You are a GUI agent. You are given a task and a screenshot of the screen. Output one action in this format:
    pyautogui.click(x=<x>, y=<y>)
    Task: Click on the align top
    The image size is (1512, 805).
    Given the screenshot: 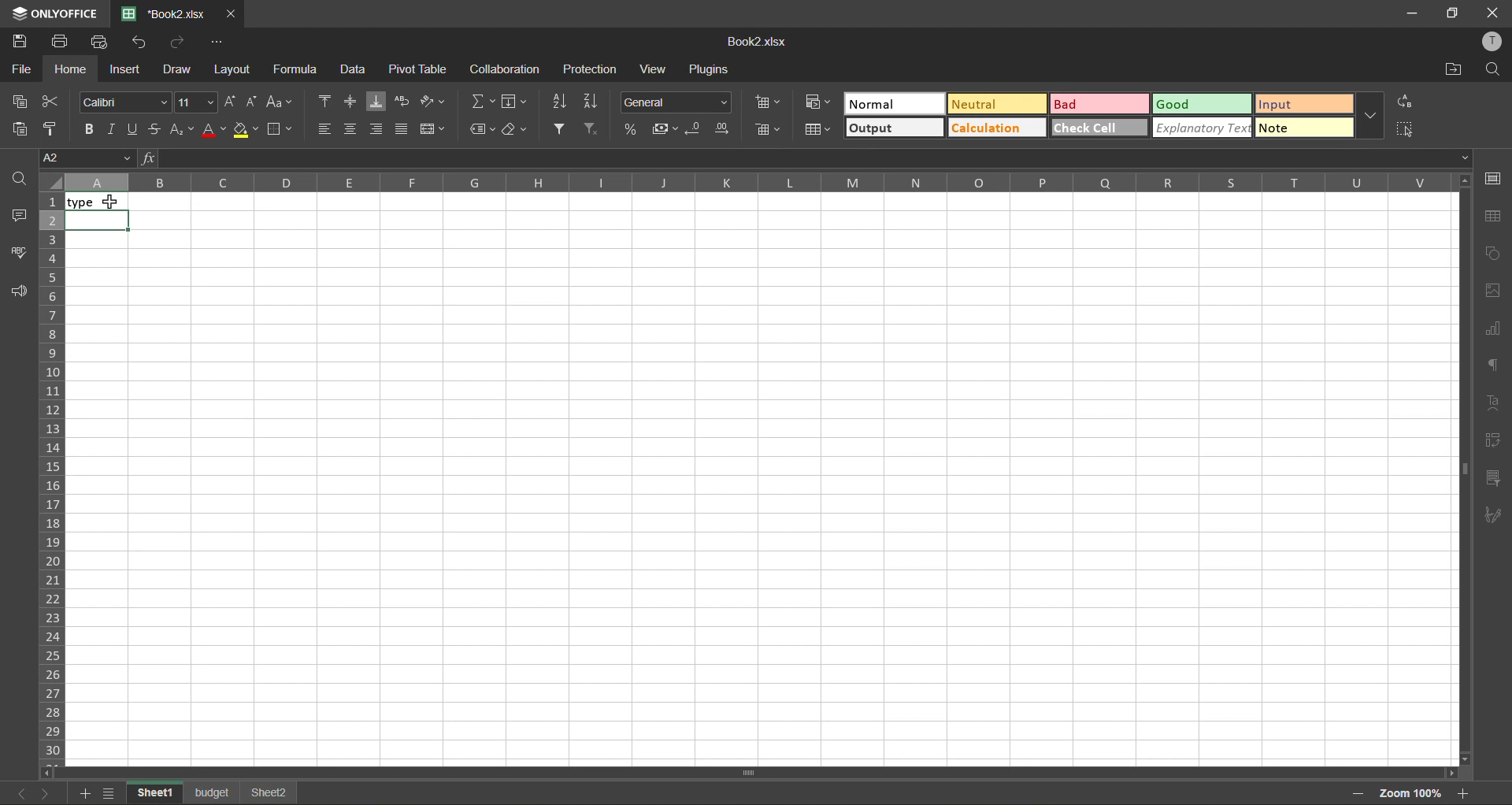 What is the action you would take?
    pyautogui.click(x=326, y=101)
    